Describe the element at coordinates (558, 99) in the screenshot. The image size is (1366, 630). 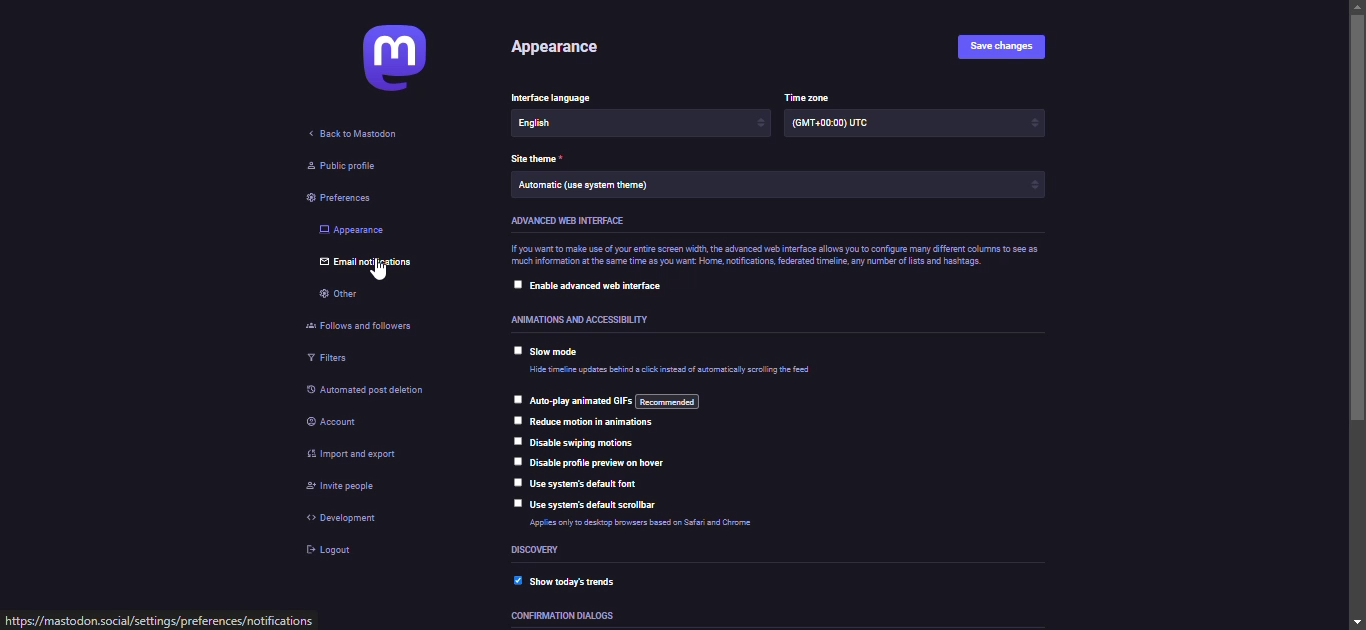
I see `language` at that location.